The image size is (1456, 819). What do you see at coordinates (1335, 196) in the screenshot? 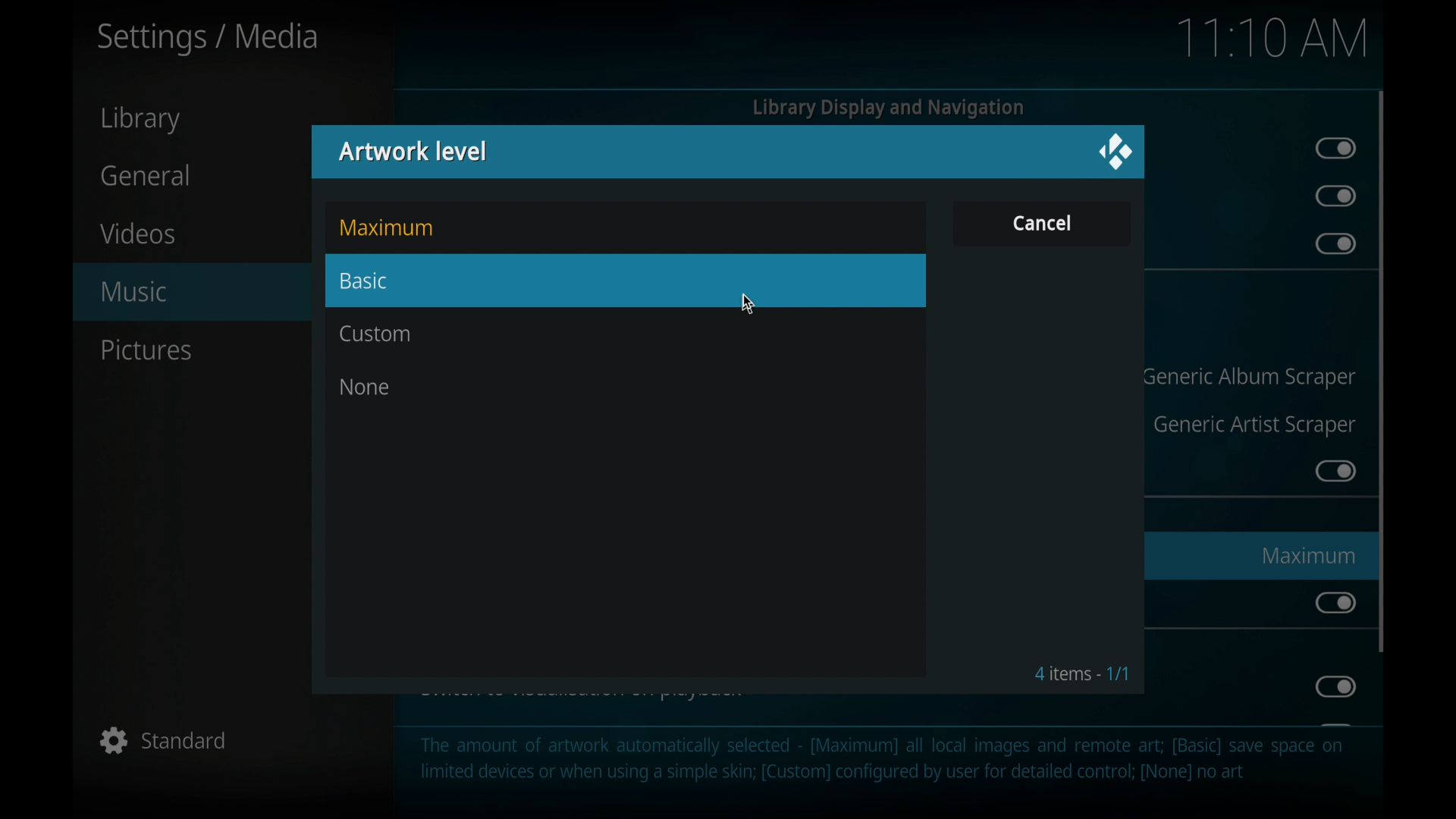
I see `toggle button` at bounding box center [1335, 196].